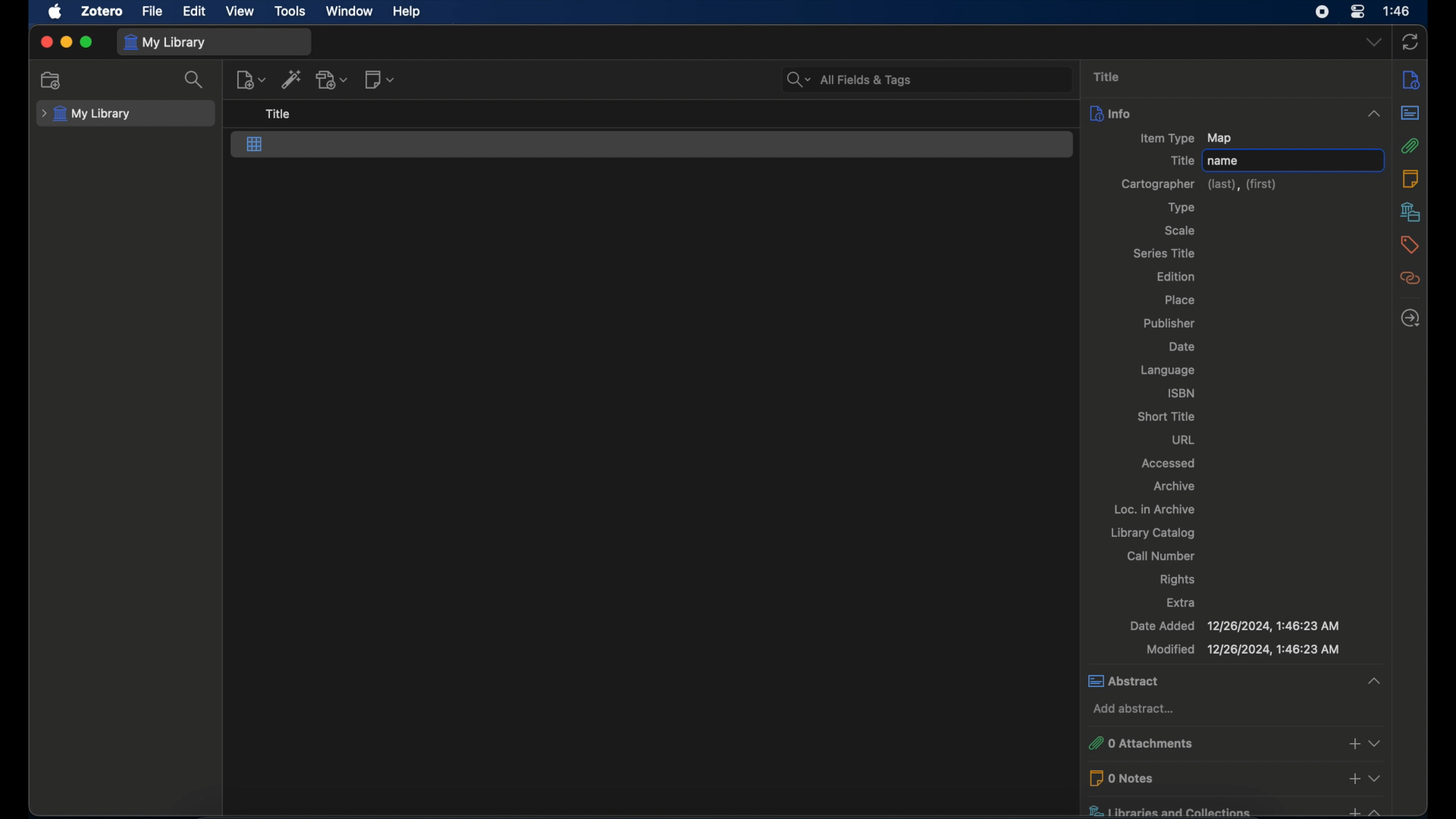  Describe the element at coordinates (350, 10) in the screenshot. I see `window` at that location.